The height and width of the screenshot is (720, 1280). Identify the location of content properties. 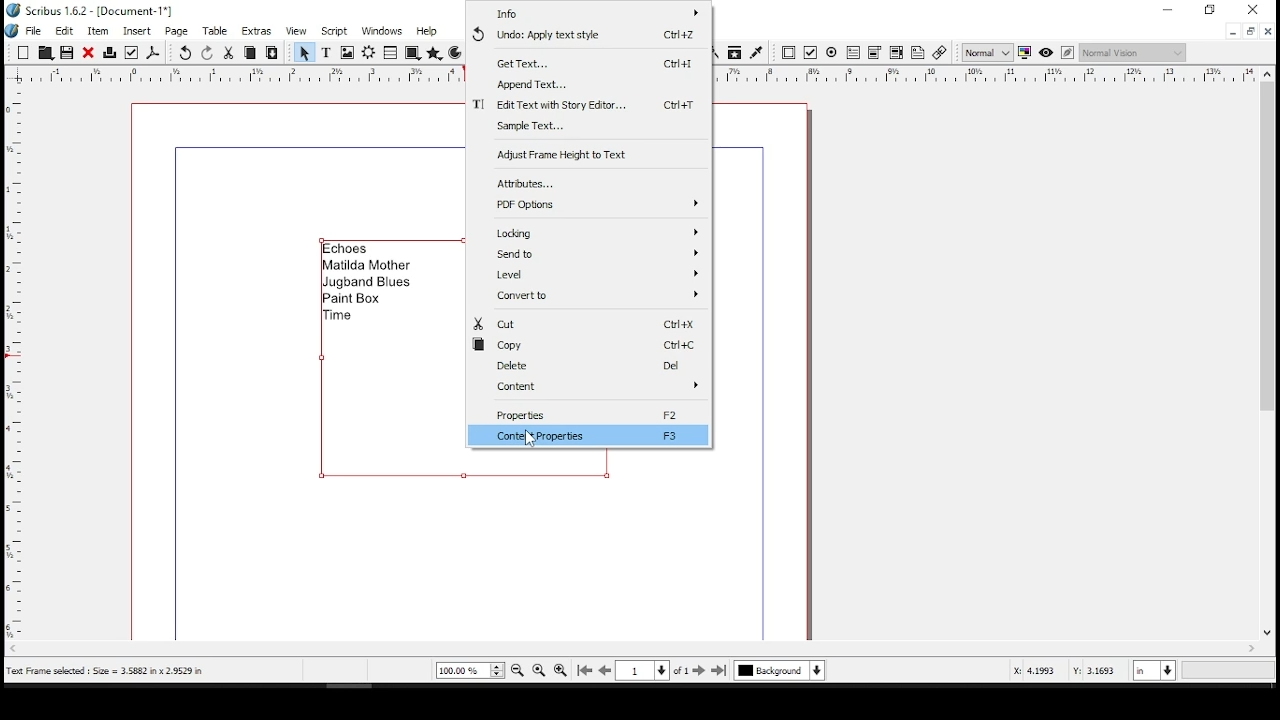
(588, 436).